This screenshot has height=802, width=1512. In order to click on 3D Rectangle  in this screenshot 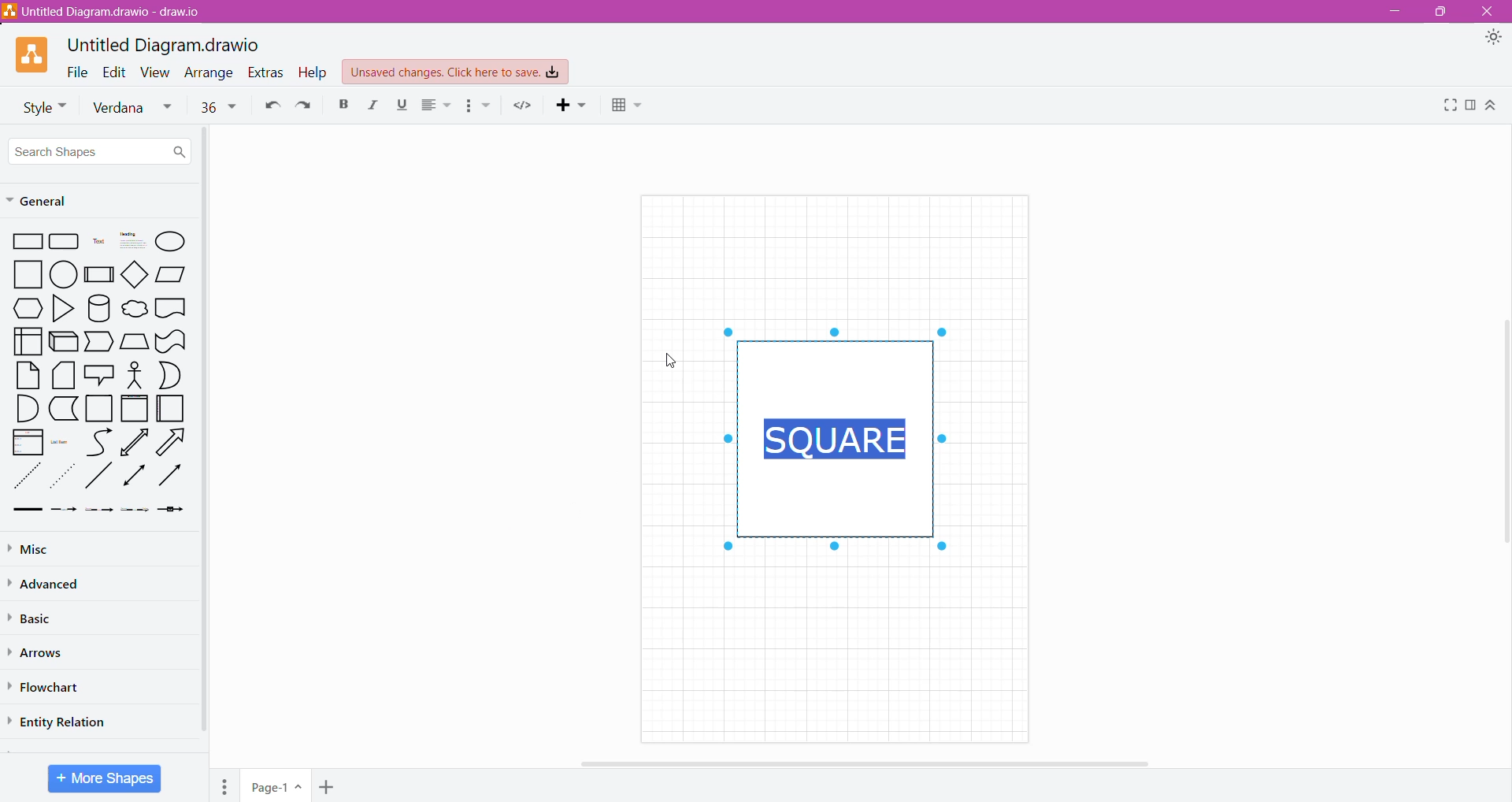, I will do `click(63, 343)`.